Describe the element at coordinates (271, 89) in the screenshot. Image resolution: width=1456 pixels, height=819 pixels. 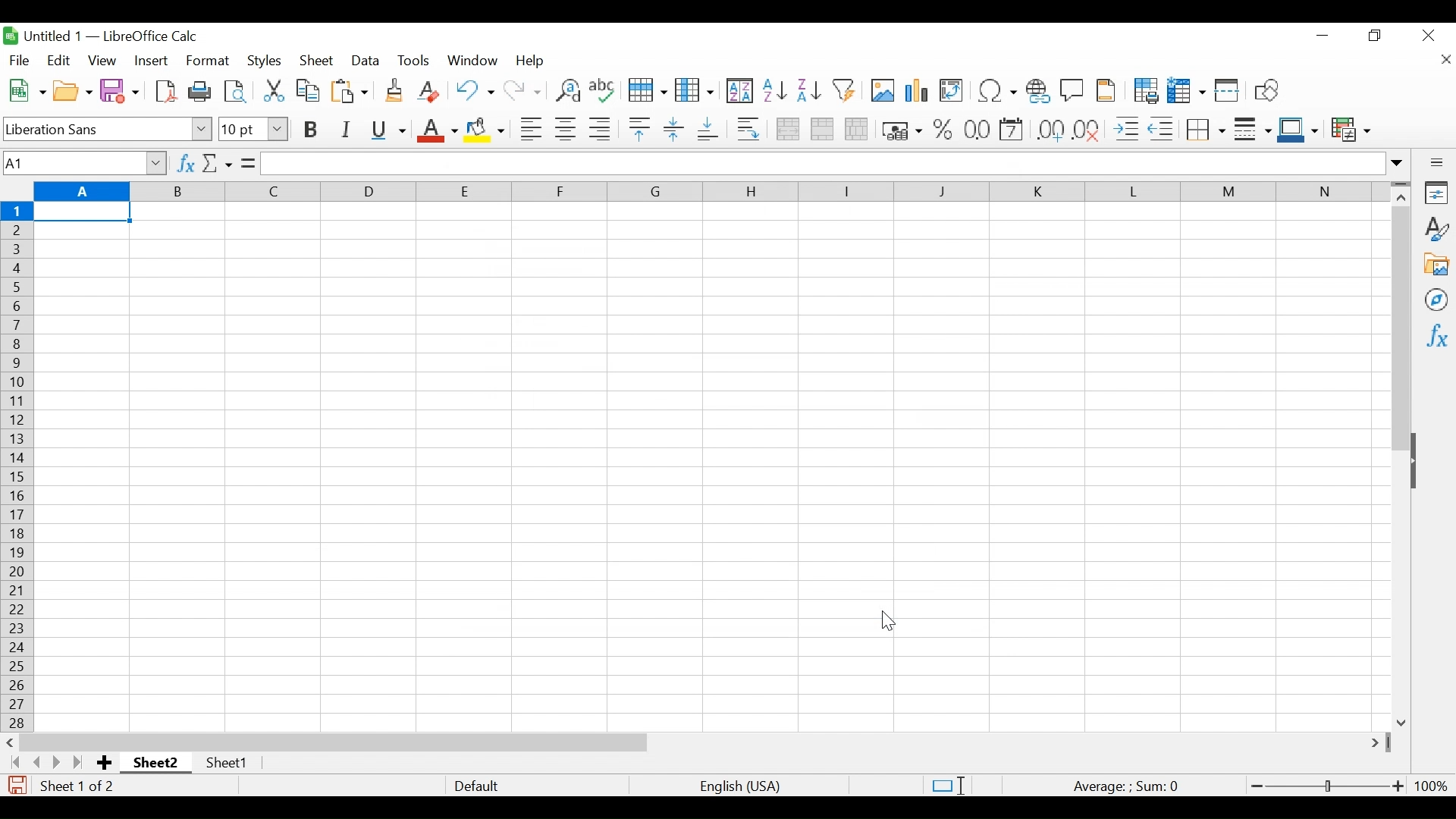
I see `Cut` at that location.